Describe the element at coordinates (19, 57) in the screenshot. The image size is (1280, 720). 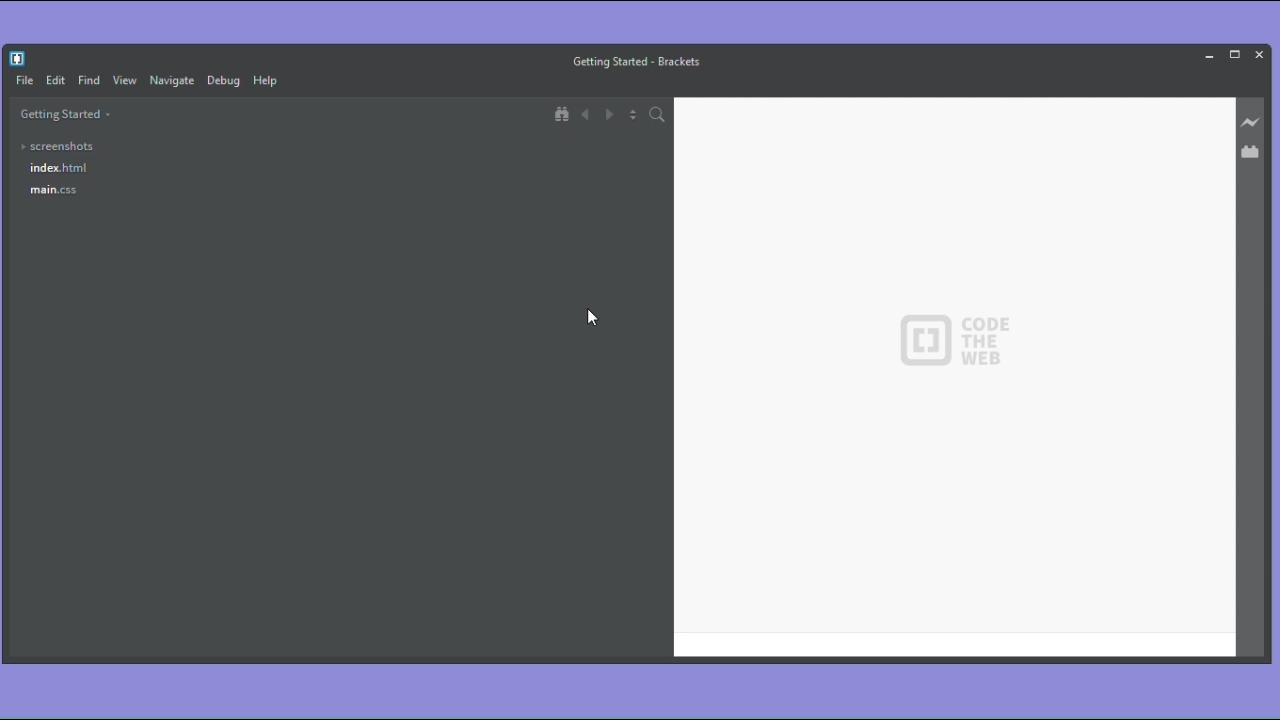
I see `Brackets icon` at that location.